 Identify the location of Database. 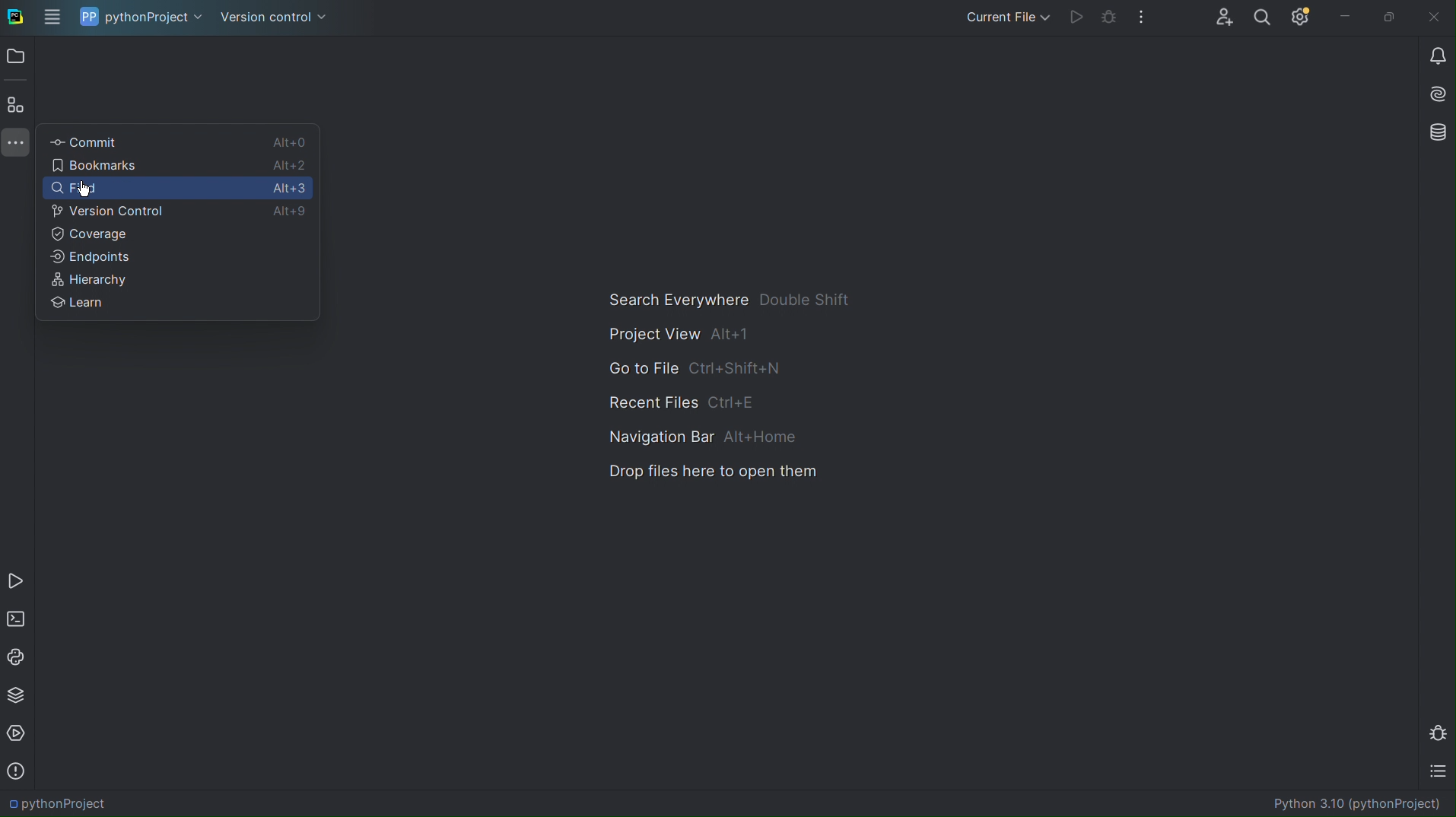
(1434, 132).